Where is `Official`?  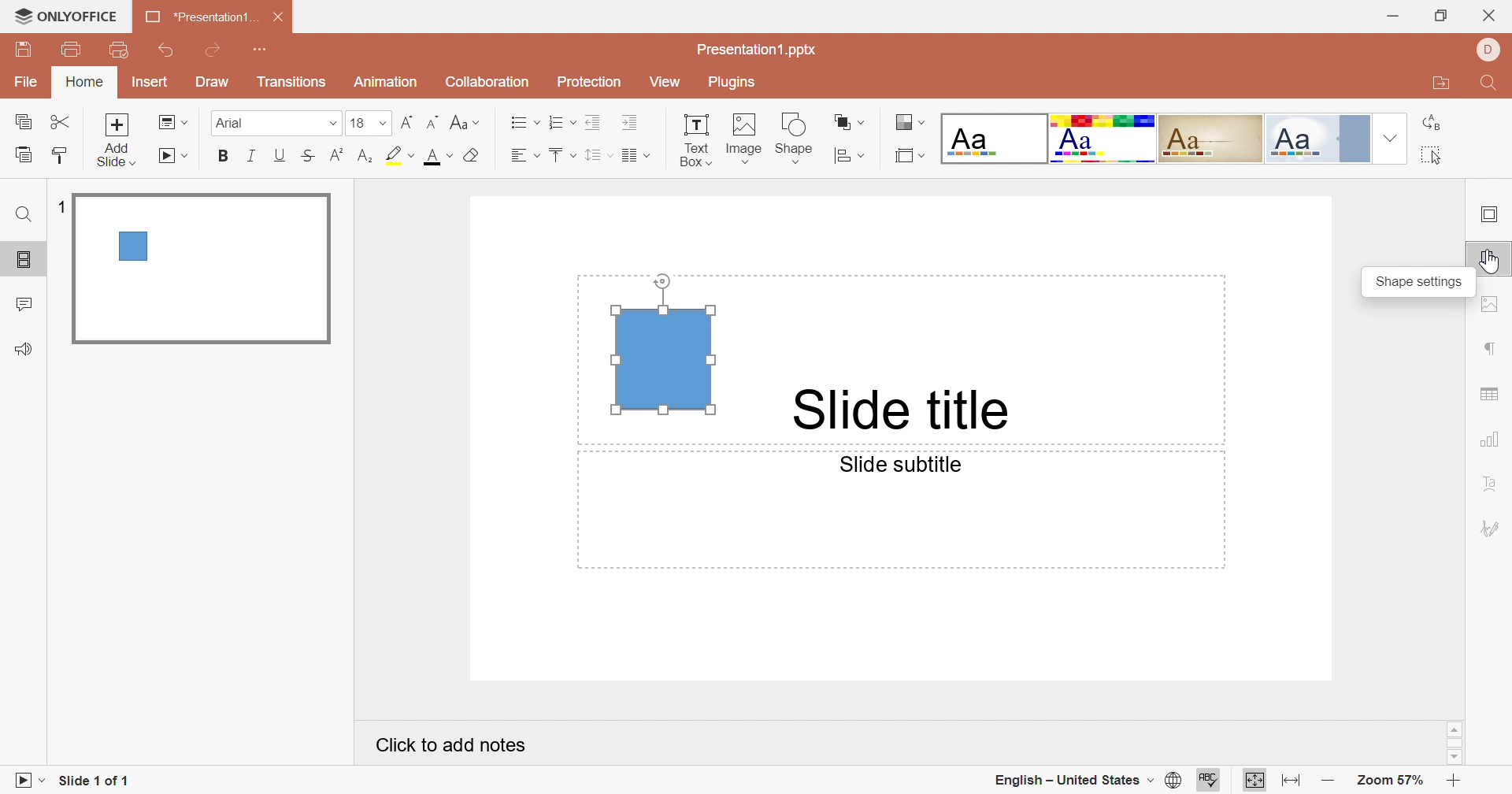
Official is located at coordinates (1324, 139).